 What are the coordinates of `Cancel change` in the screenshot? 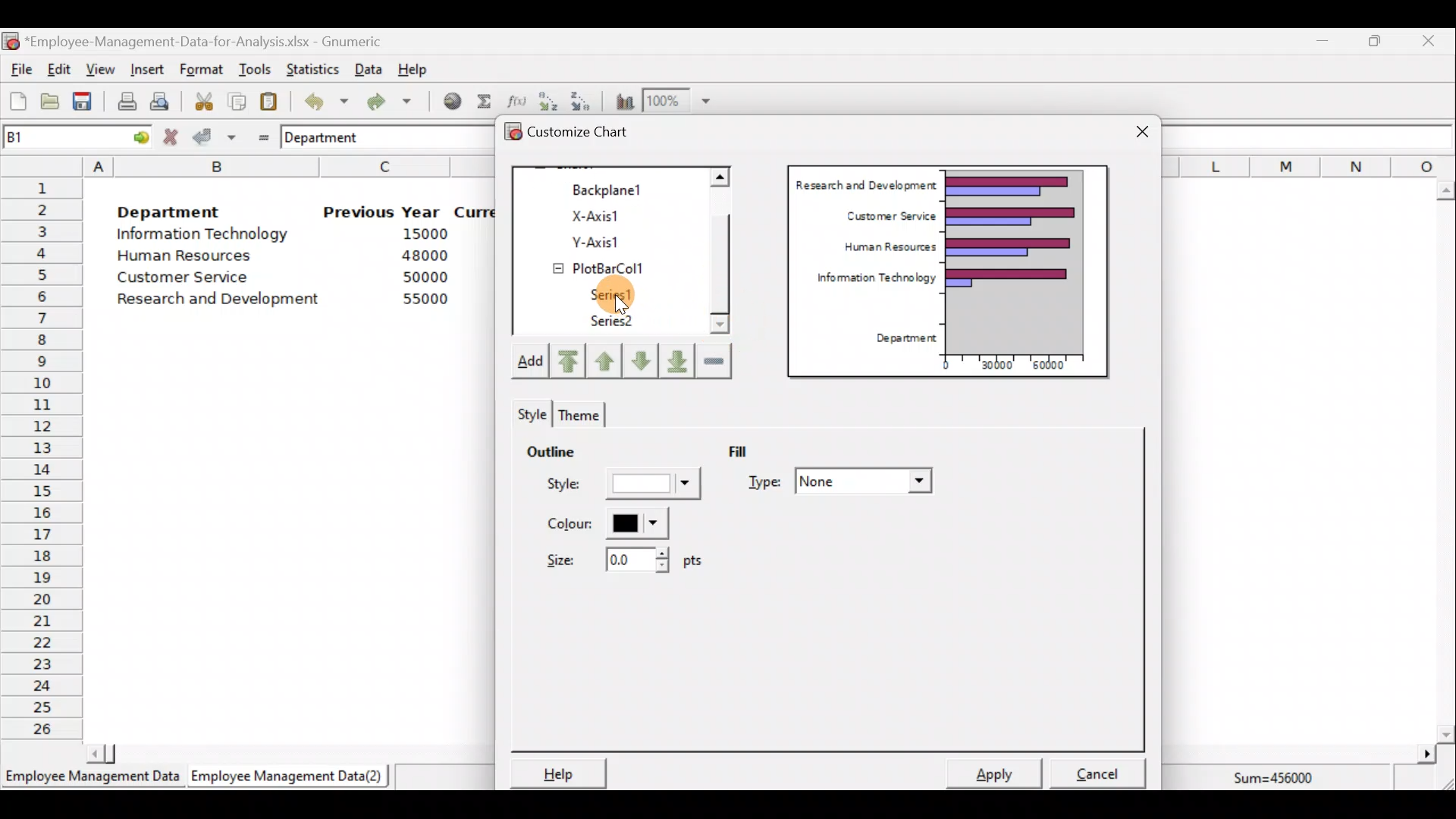 It's located at (173, 136).